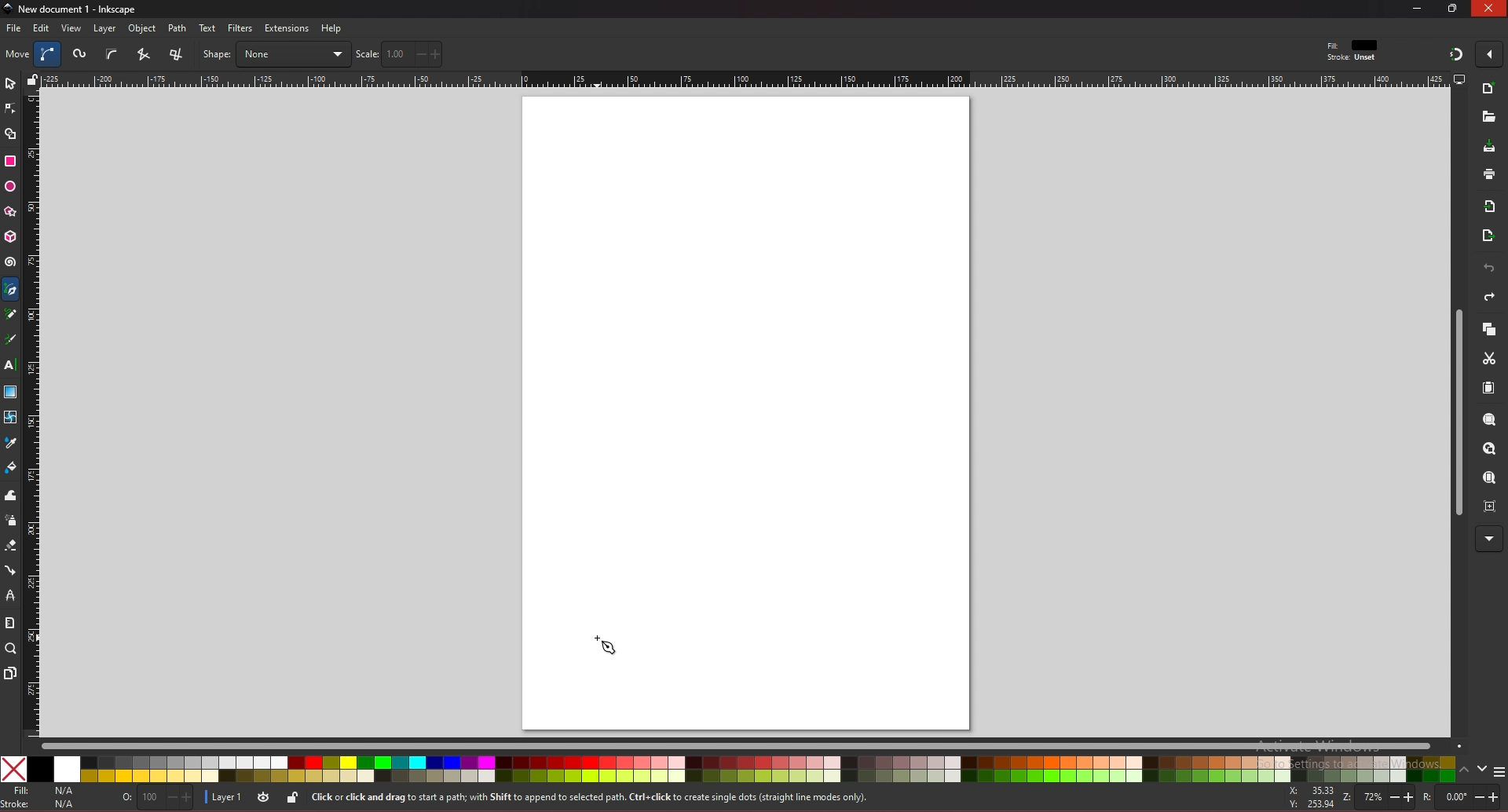  I want to click on more colors, so click(1499, 773).